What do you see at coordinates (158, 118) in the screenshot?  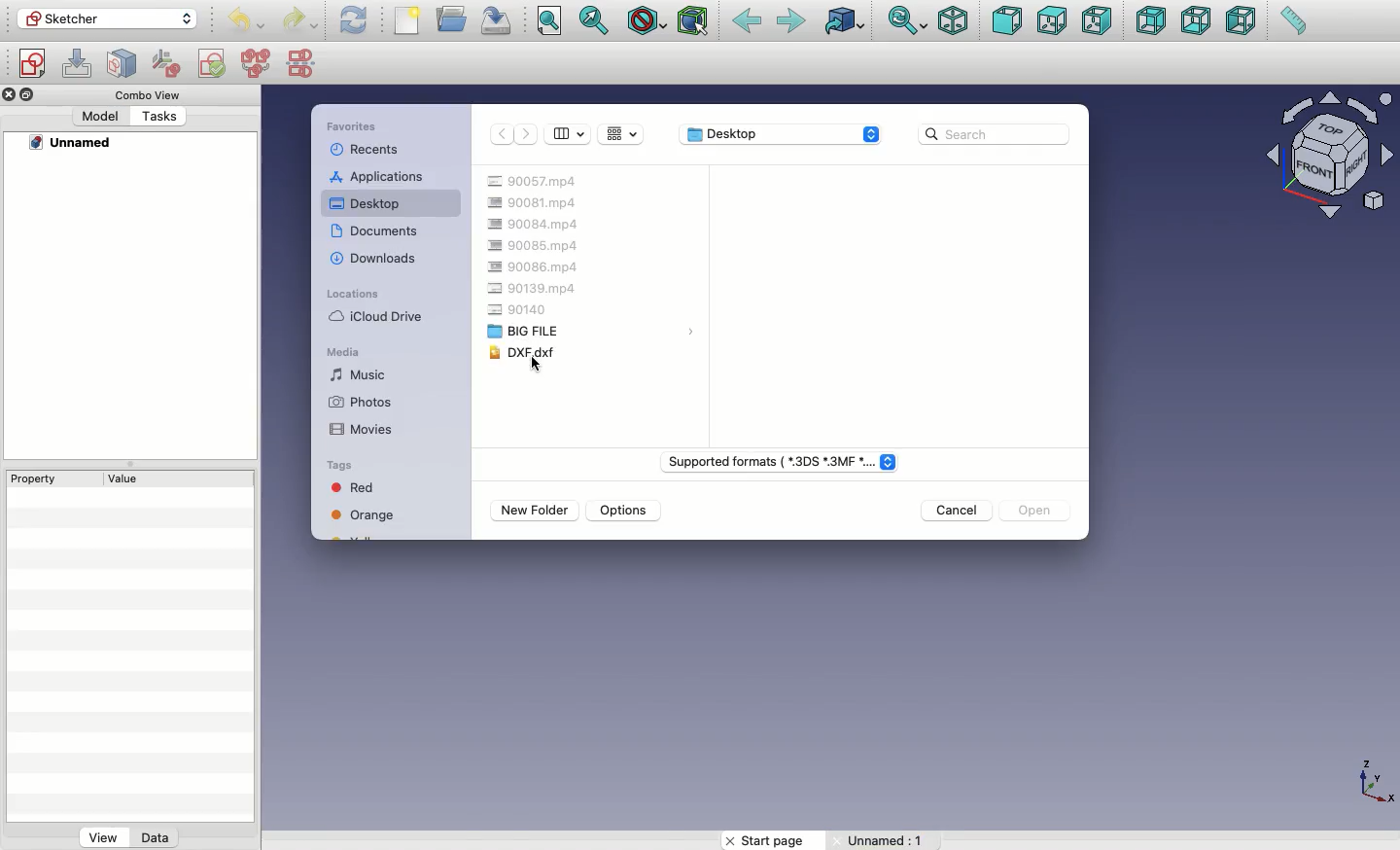 I see `Tasks` at bounding box center [158, 118].